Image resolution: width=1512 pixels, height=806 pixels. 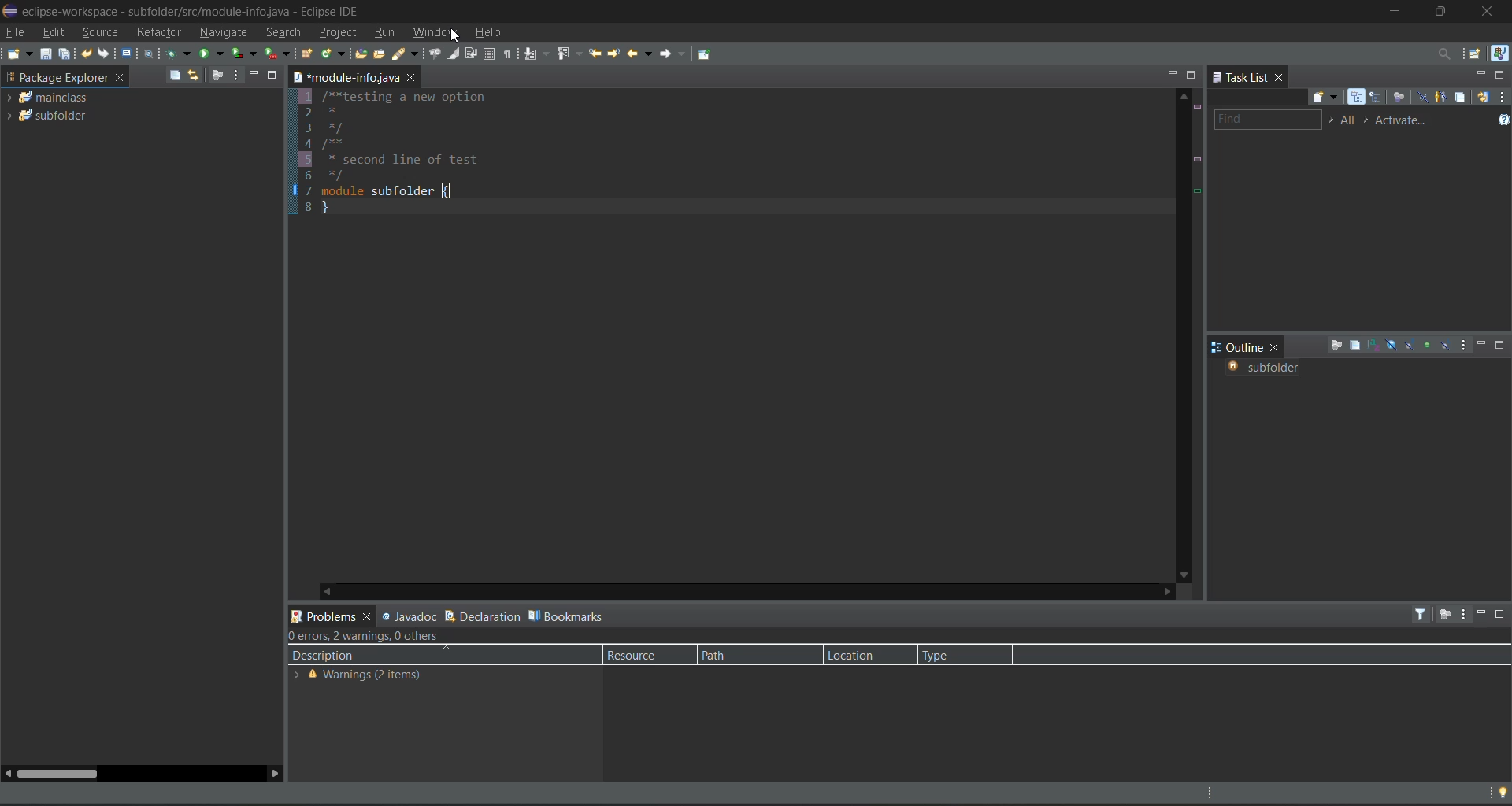 I want to click on new java package, so click(x=308, y=53).